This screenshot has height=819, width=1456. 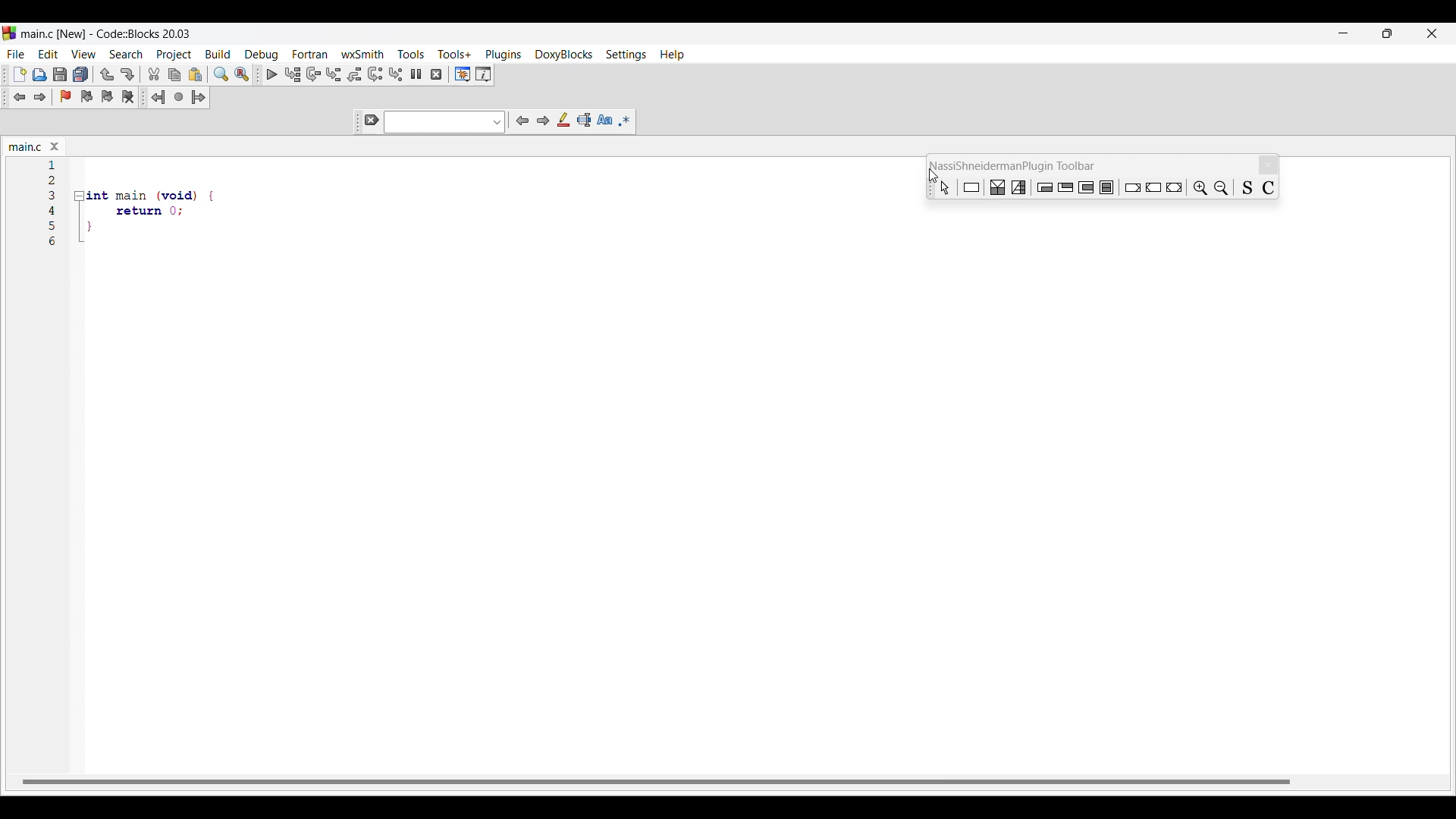 I want to click on , so click(x=130, y=231).